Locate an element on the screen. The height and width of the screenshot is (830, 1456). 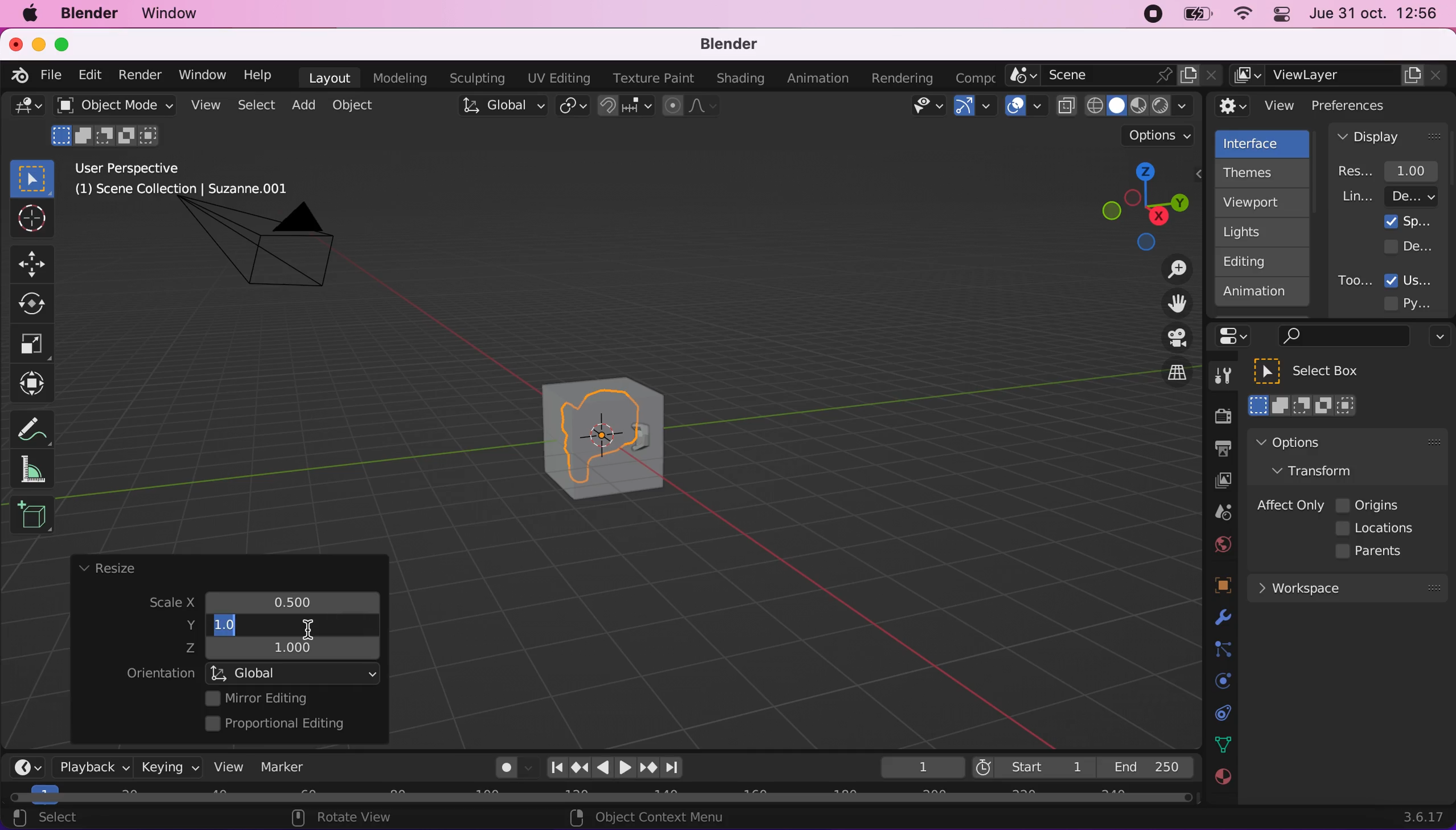
annotate is located at coordinates (37, 426).